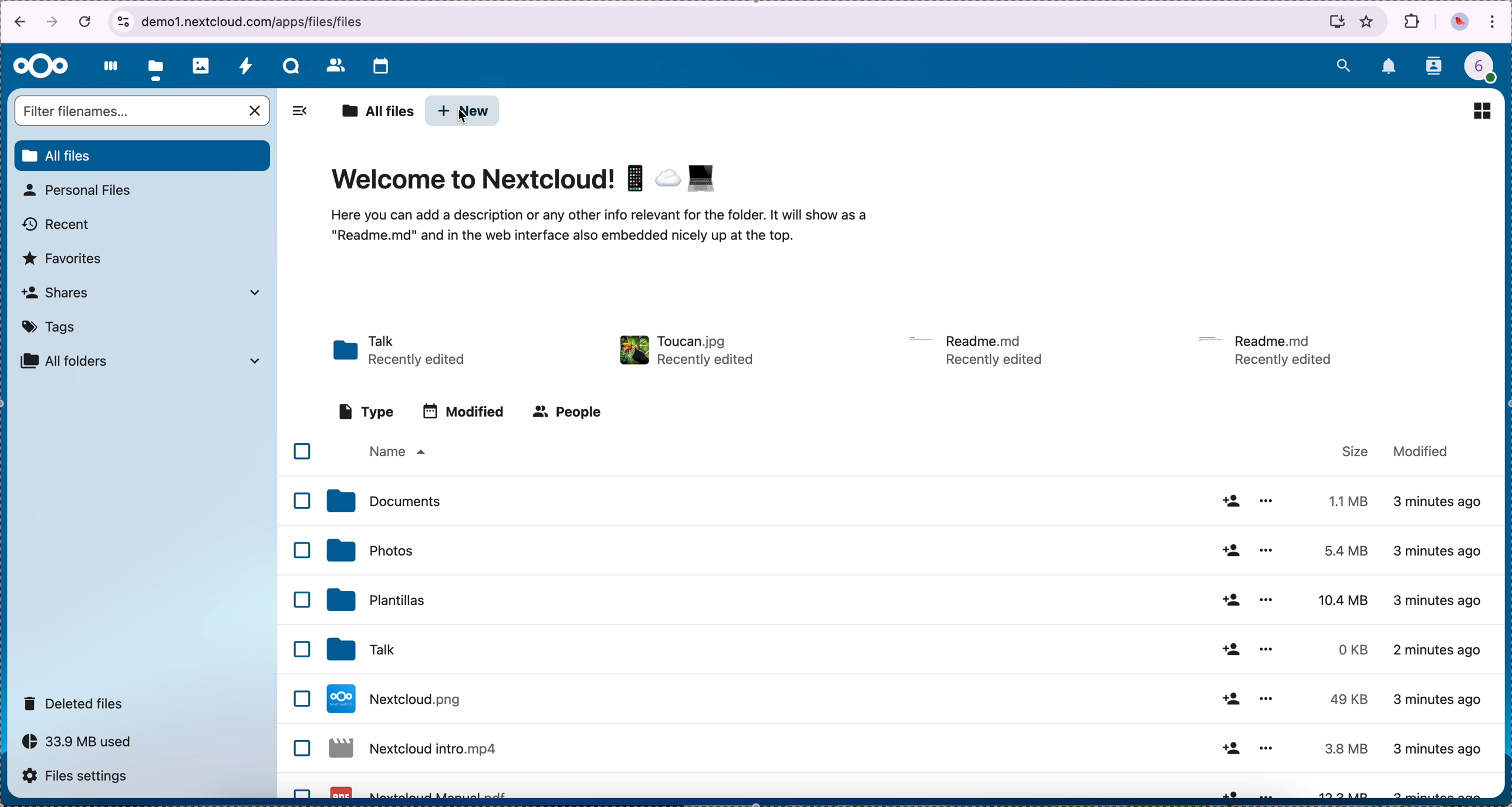 The image size is (1512, 807). What do you see at coordinates (526, 181) in the screenshot?
I see `Welcome to Nextcloud` at bounding box center [526, 181].